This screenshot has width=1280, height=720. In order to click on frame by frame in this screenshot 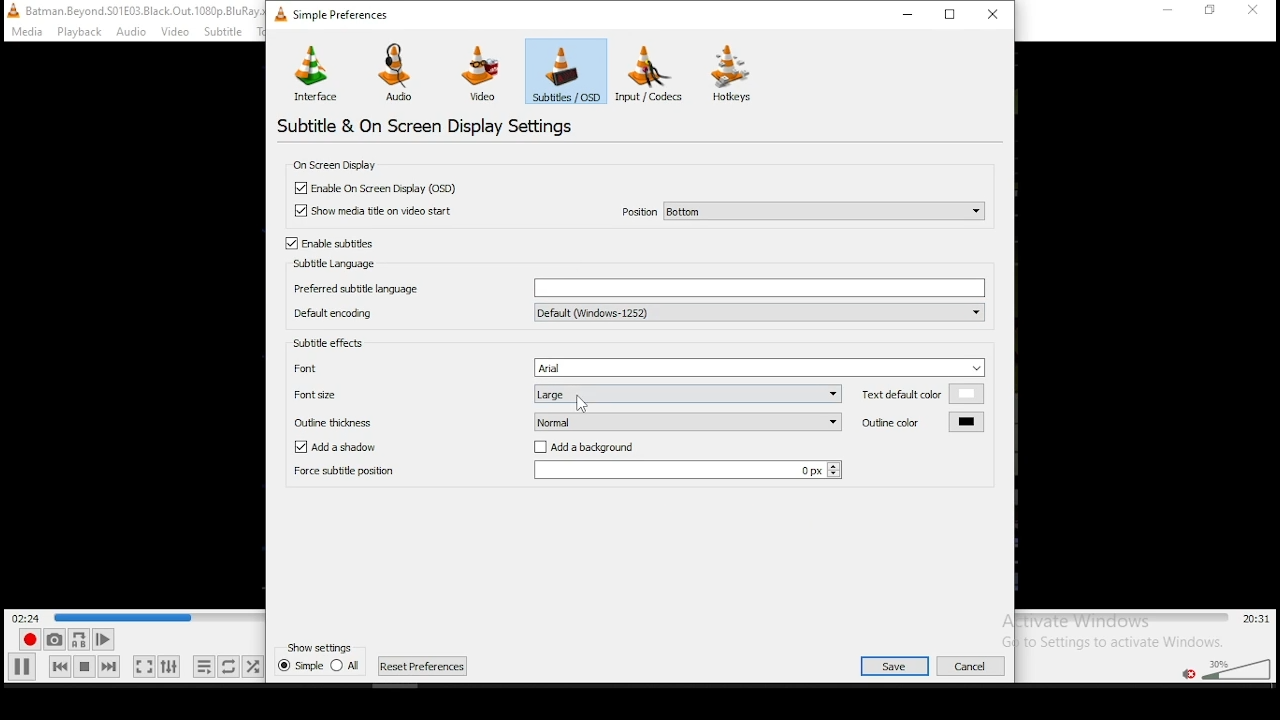, I will do `click(103, 639)`.